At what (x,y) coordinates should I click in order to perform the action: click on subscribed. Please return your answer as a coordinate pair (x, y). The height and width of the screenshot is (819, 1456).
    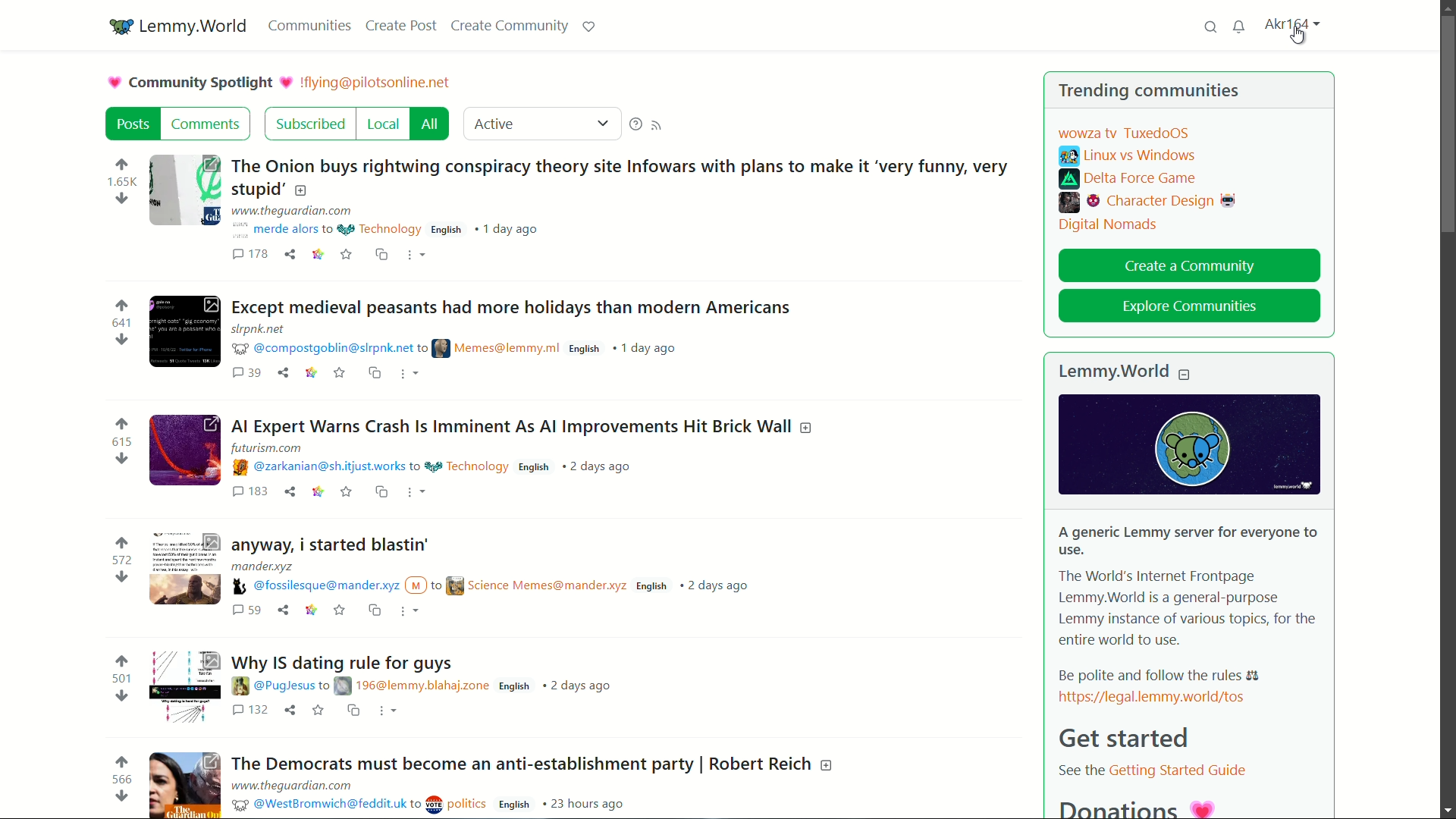
    Looking at the image, I should click on (312, 124).